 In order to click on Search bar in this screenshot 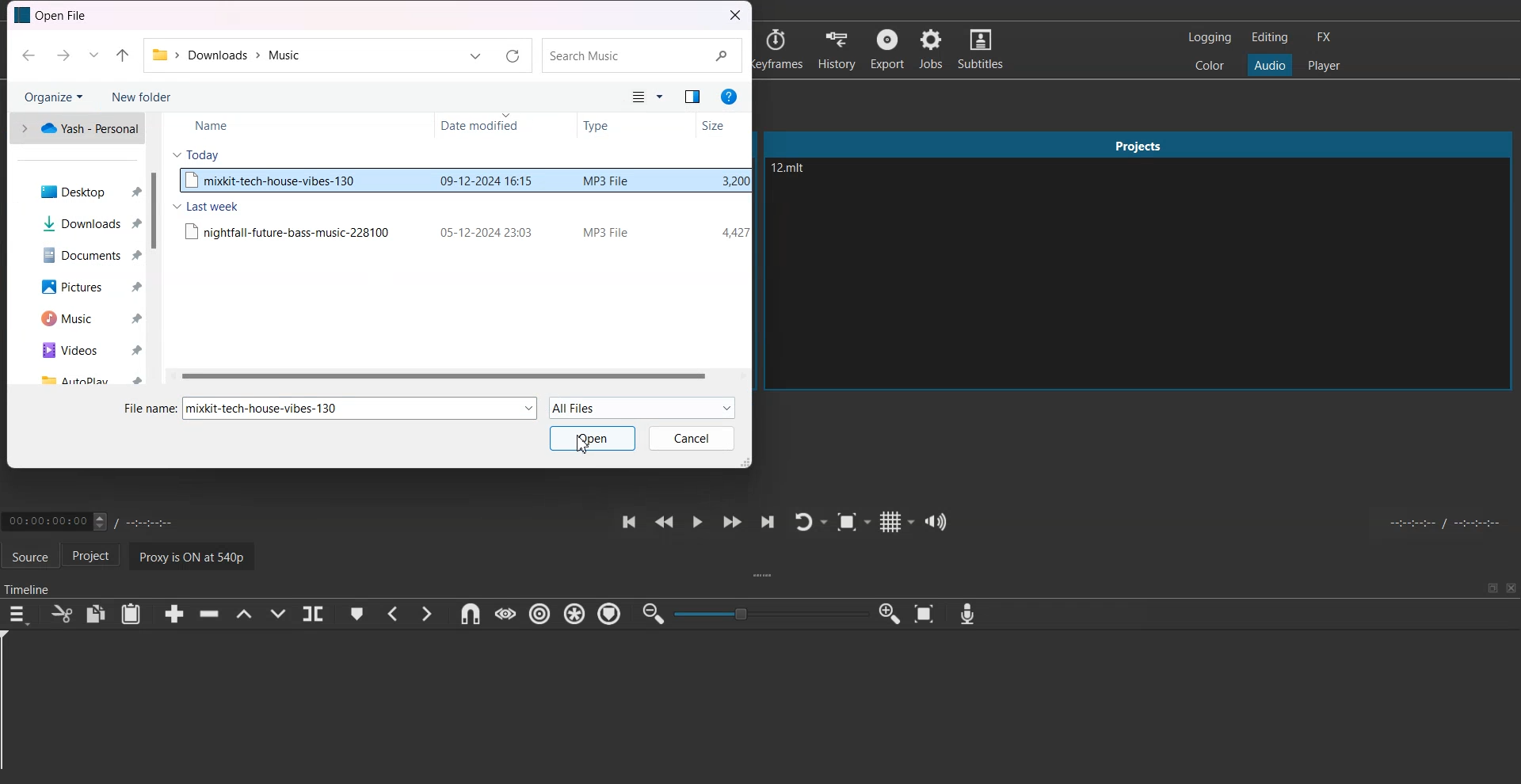, I will do `click(641, 56)`.